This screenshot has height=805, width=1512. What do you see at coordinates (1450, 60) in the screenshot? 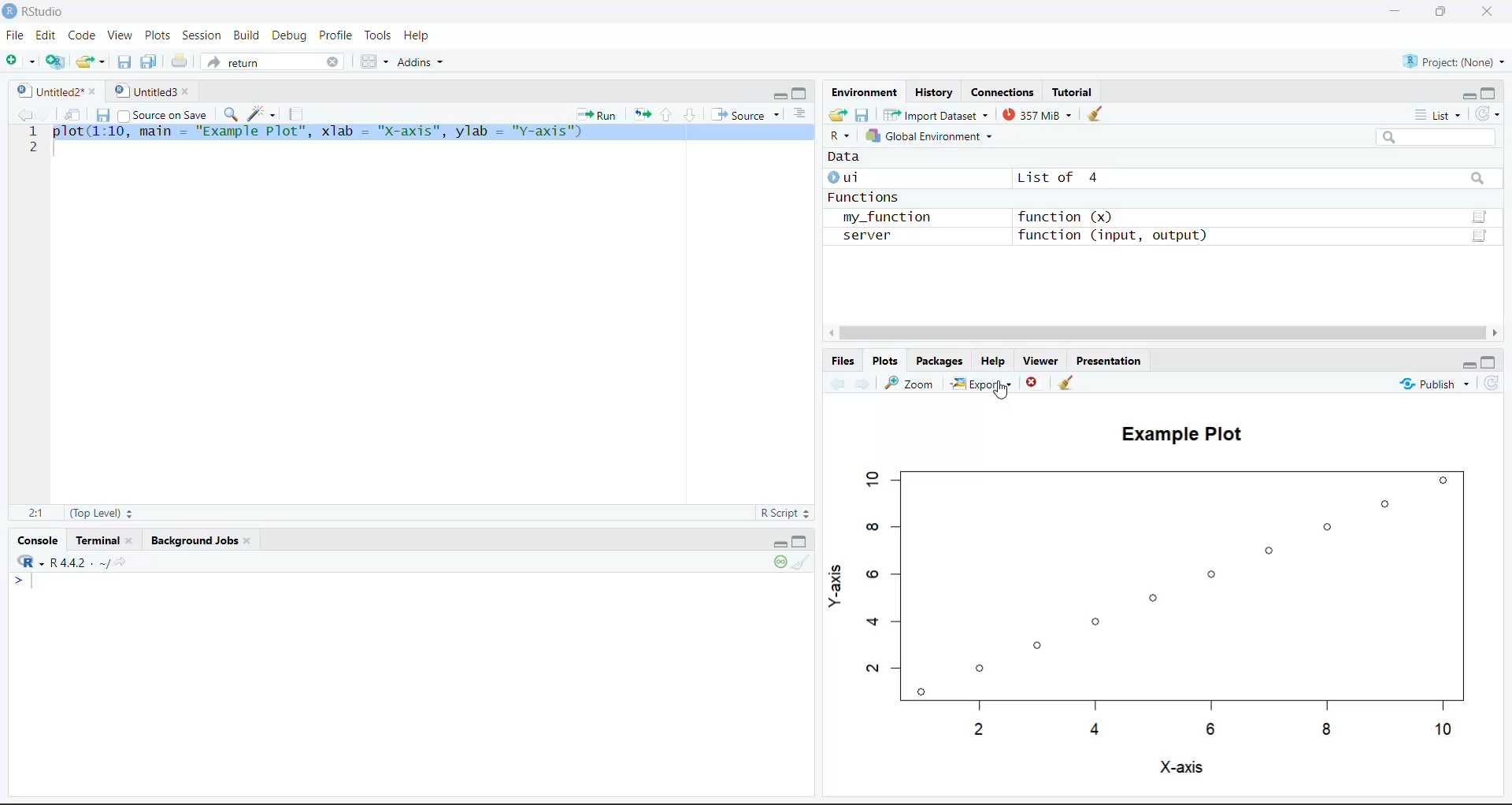
I see `Project (None)` at bounding box center [1450, 60].